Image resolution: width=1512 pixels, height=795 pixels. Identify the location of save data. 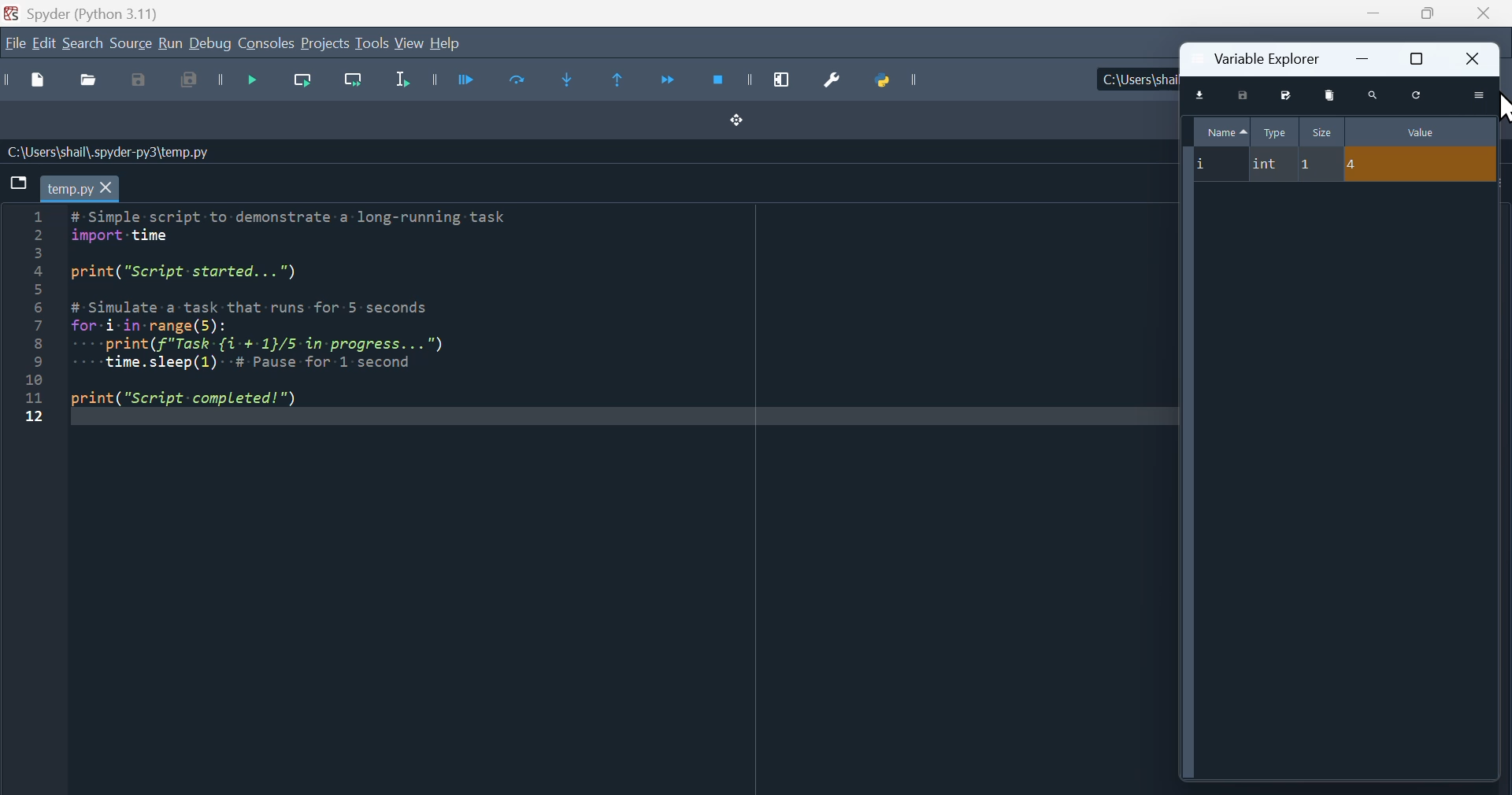
(1243, 95).